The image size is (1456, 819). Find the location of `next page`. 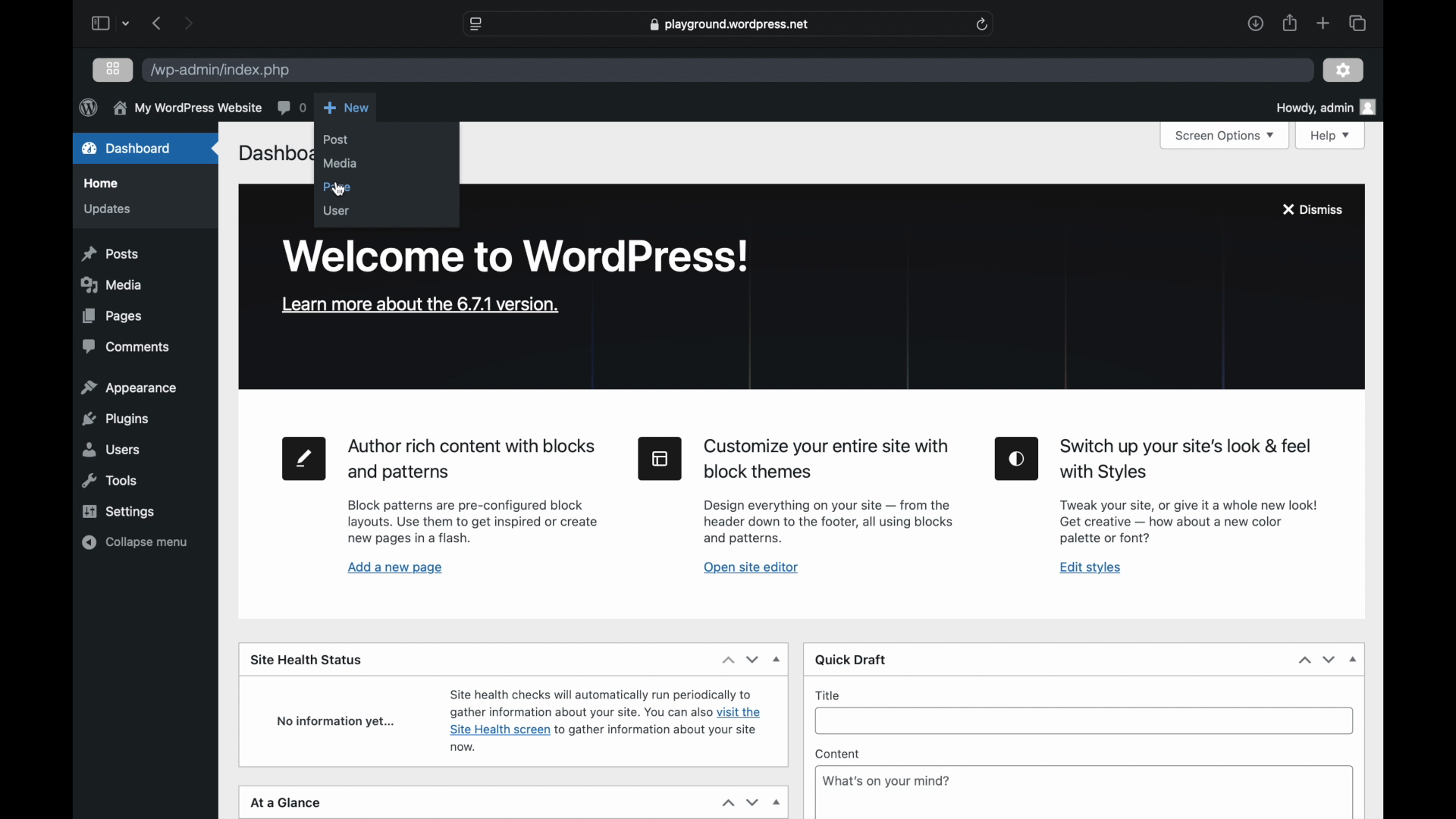

next page is located at coordinates (189, 24).